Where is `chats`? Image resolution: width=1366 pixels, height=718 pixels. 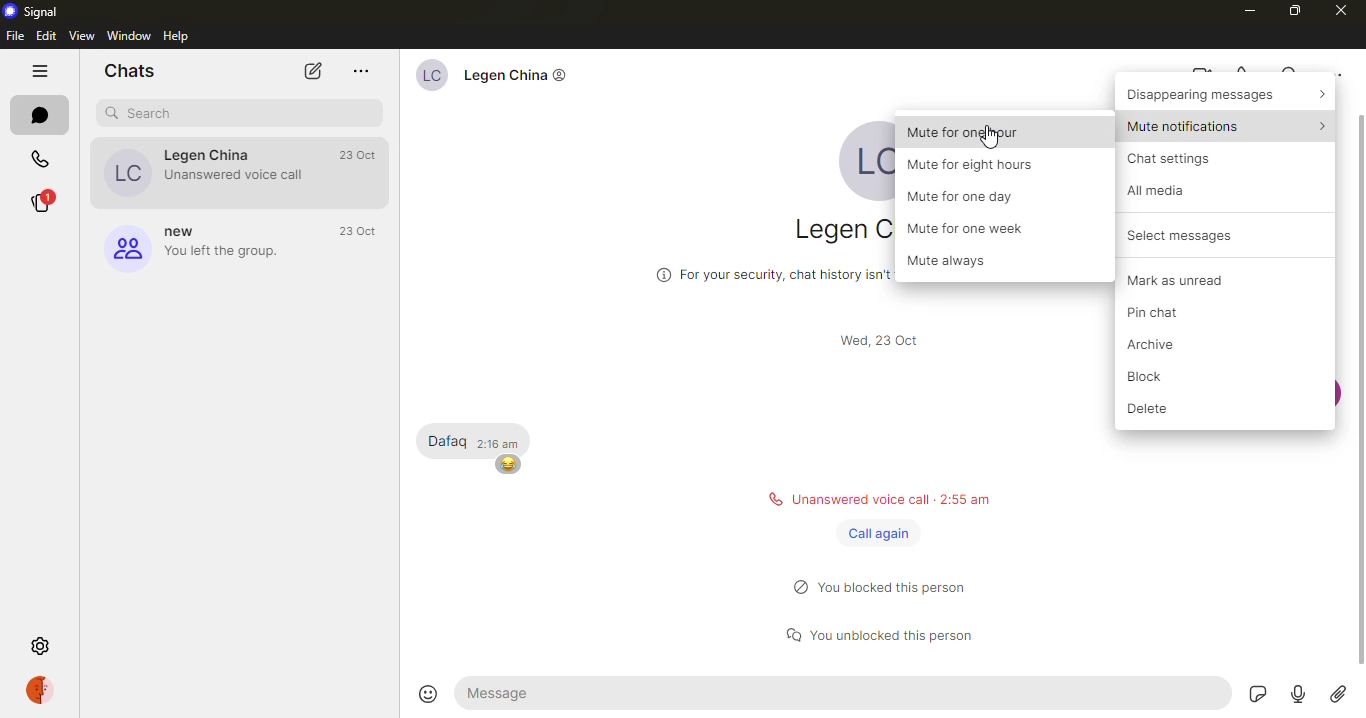
chats is located at coordinates (40, 115).